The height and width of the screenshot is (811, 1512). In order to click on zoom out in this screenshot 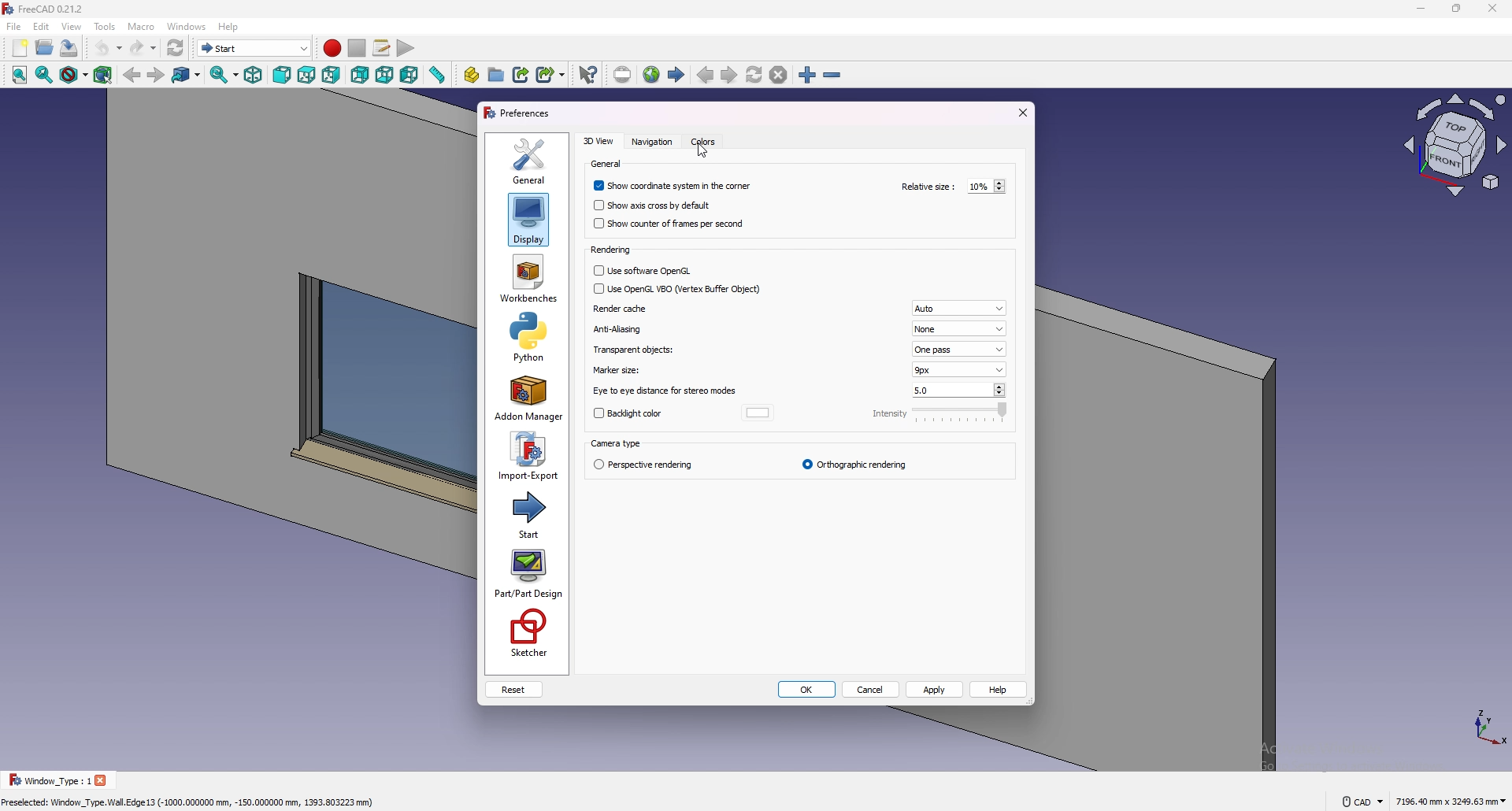, I will do `click(832, 76)`.